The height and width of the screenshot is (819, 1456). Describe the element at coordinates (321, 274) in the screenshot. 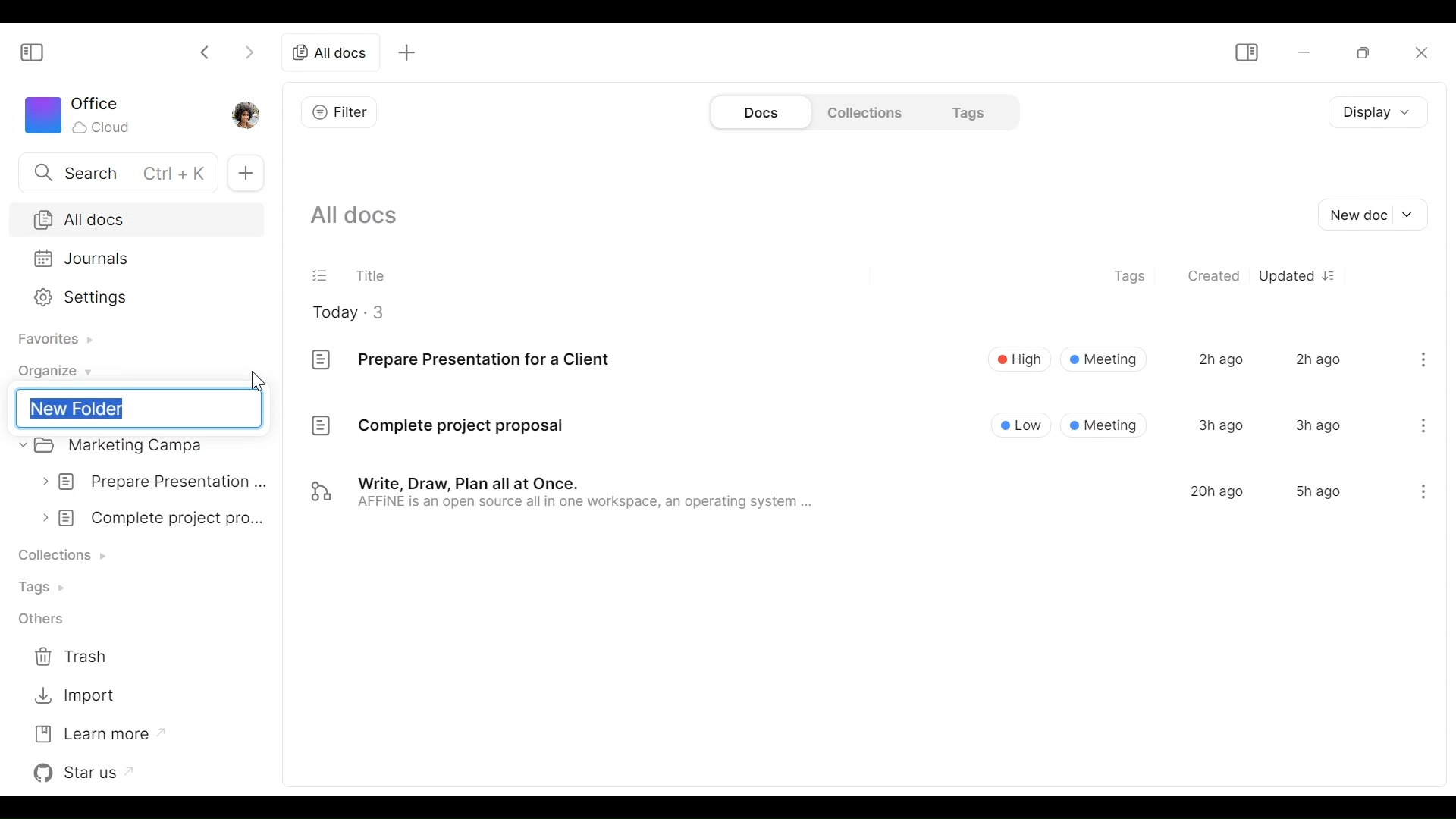

I see `(un)select` at that location.